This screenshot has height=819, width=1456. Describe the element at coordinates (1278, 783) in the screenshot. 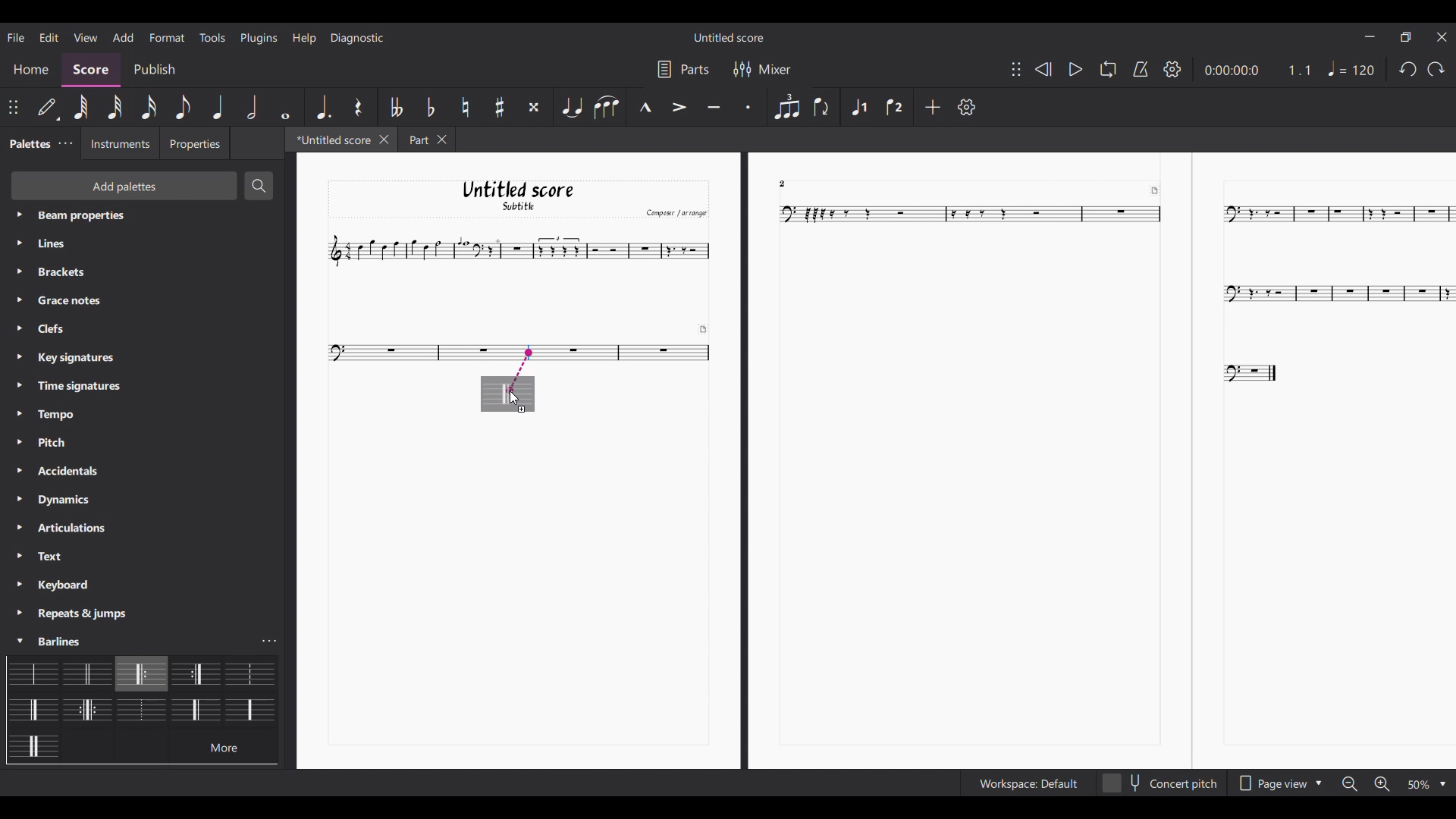

I see `Page view options` at that location.